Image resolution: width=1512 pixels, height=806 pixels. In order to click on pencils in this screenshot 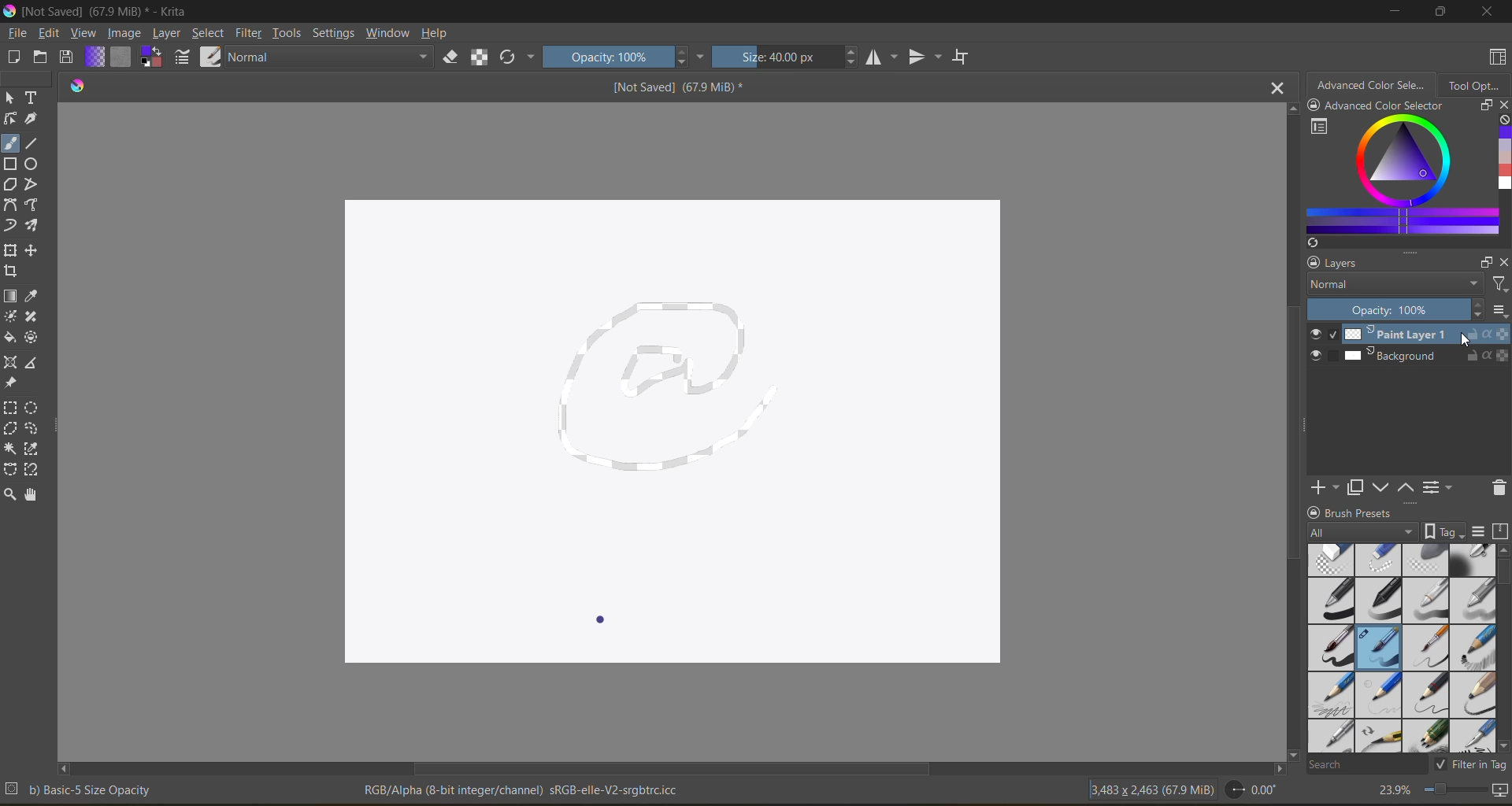, I will do `click(1427, 737)`.